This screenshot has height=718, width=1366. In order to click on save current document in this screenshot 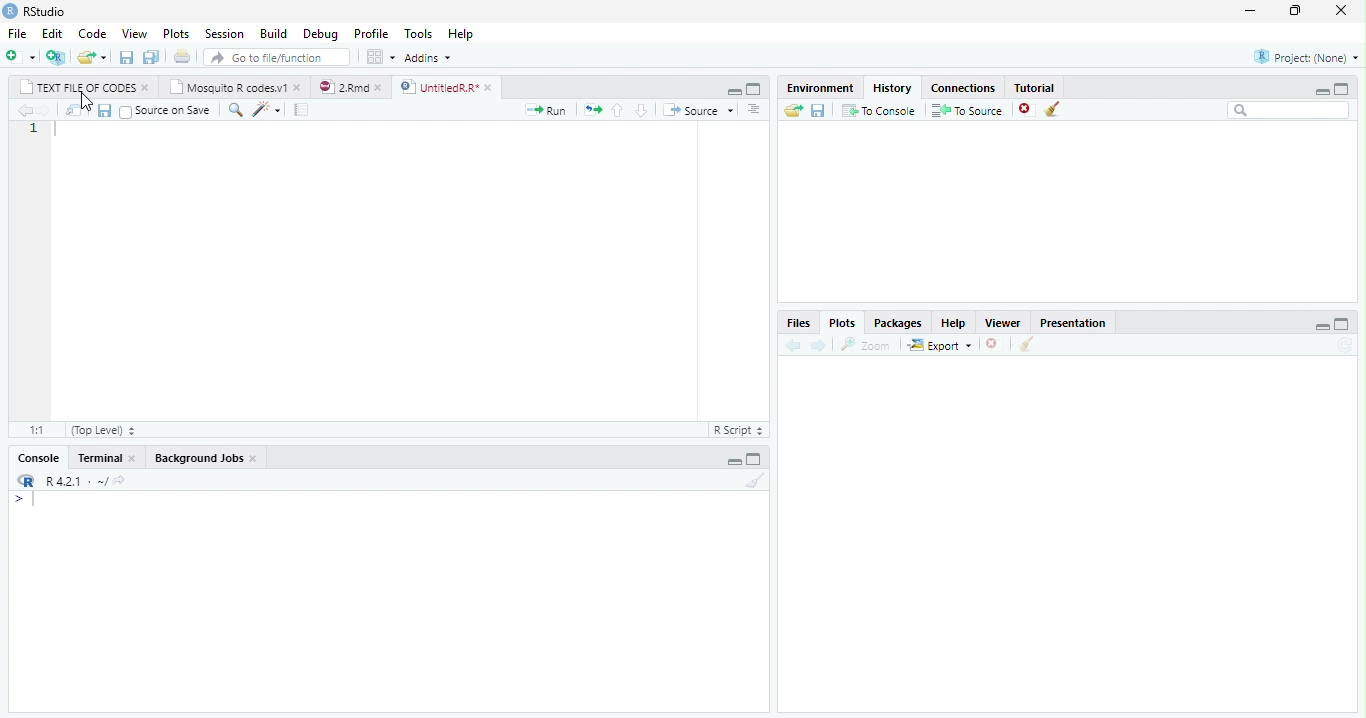, I will do `click(105, 112)`.